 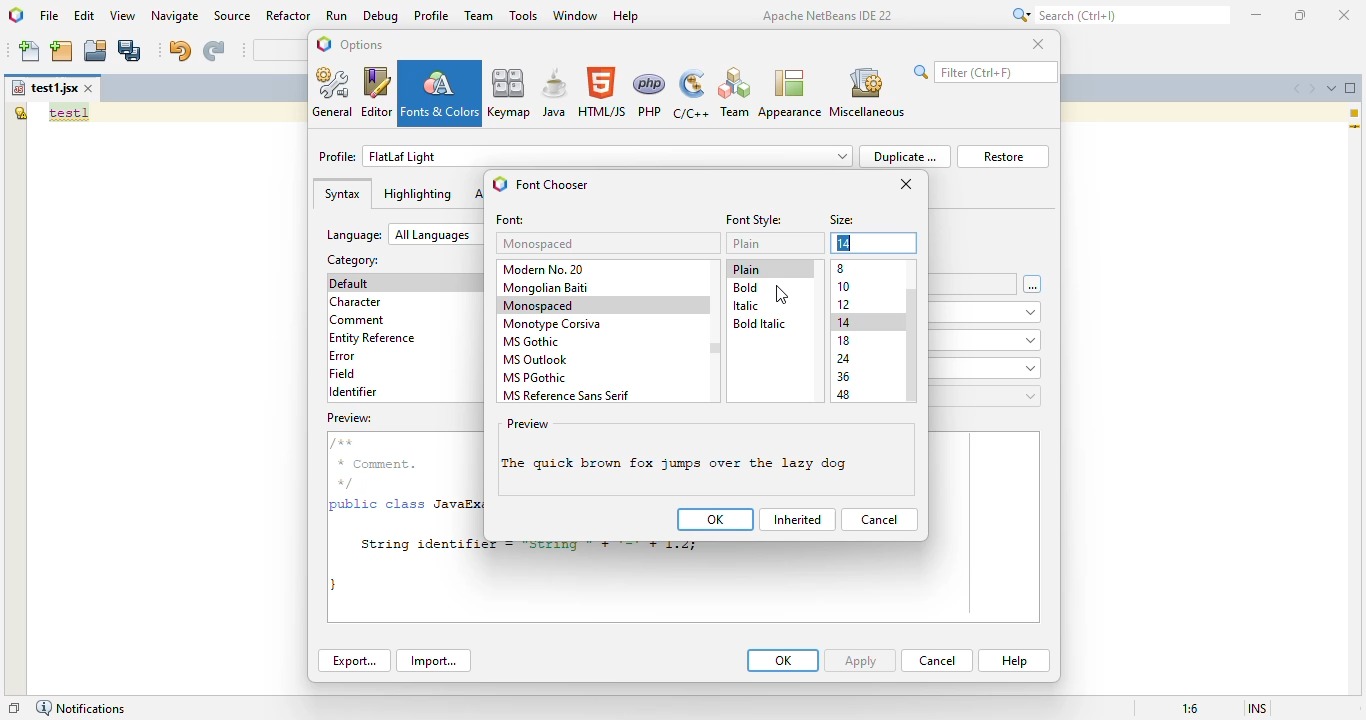 I want to click on navigate, so click(x=175, y=15).